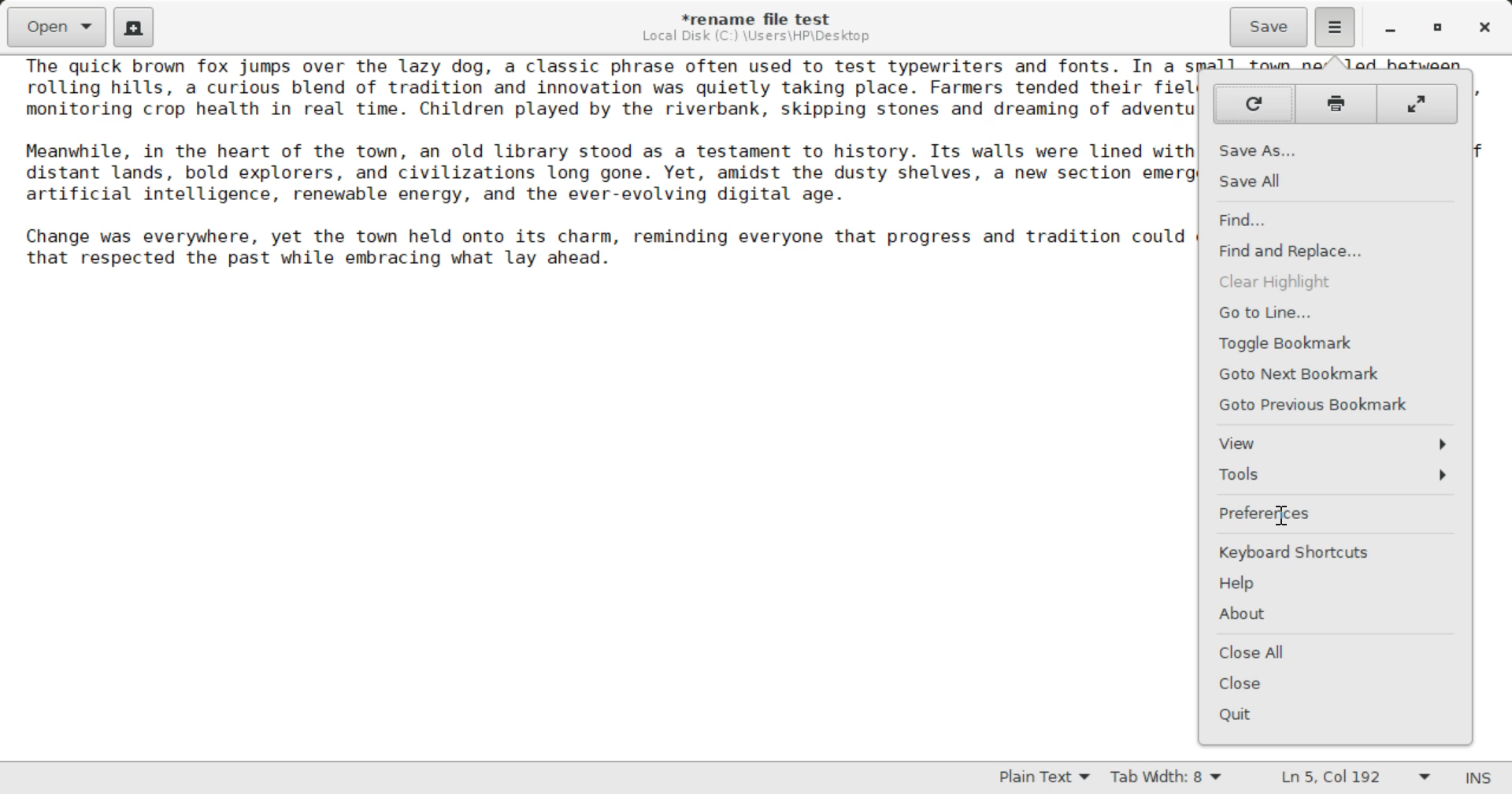  Describe the element at coordinates (1336, 404) in the screenshot. I see `Goto Previous Bookmark` at that location.